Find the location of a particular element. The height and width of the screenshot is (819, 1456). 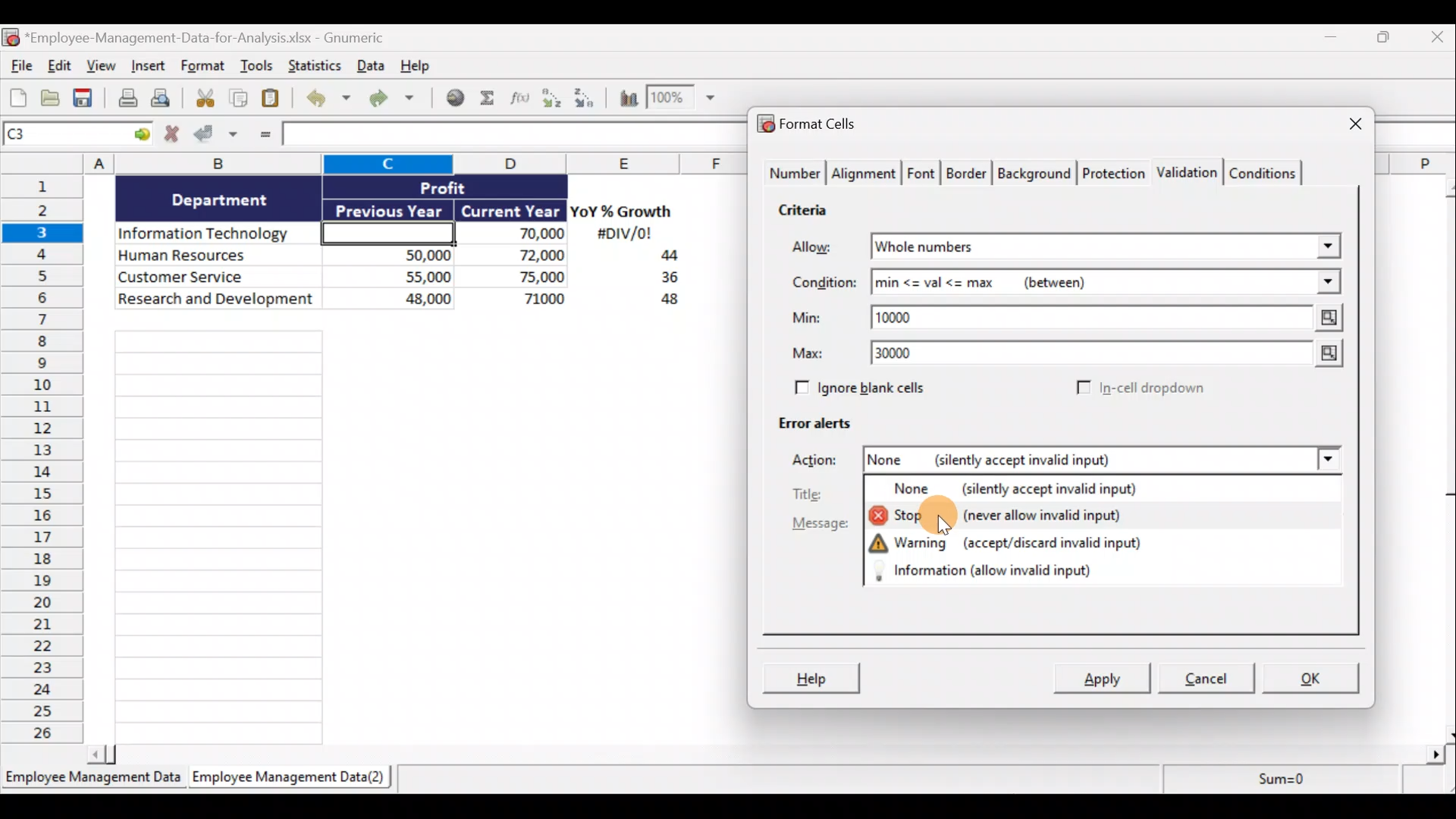

Help is located at coordinates (814, 676).